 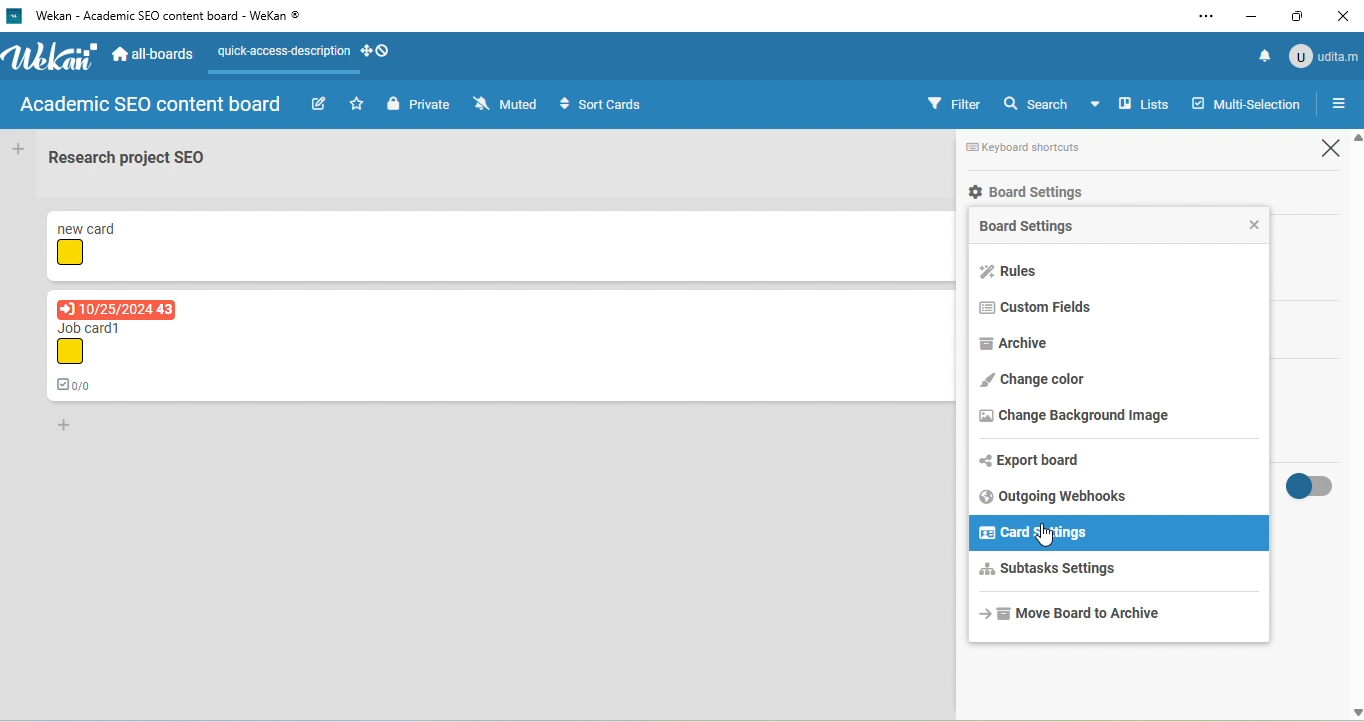 I want to click on muted, so click(x=505, y=103).